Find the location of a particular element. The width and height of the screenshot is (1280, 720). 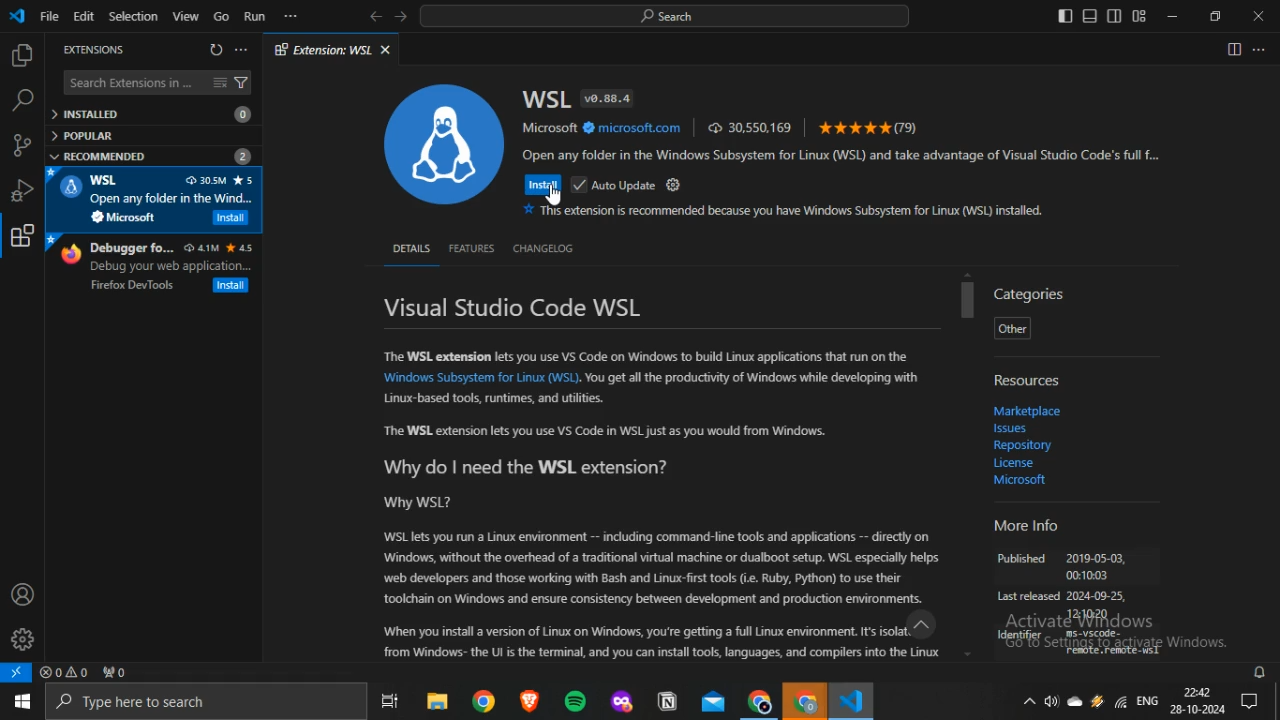

Licence is located at coordinates (1014, 462).